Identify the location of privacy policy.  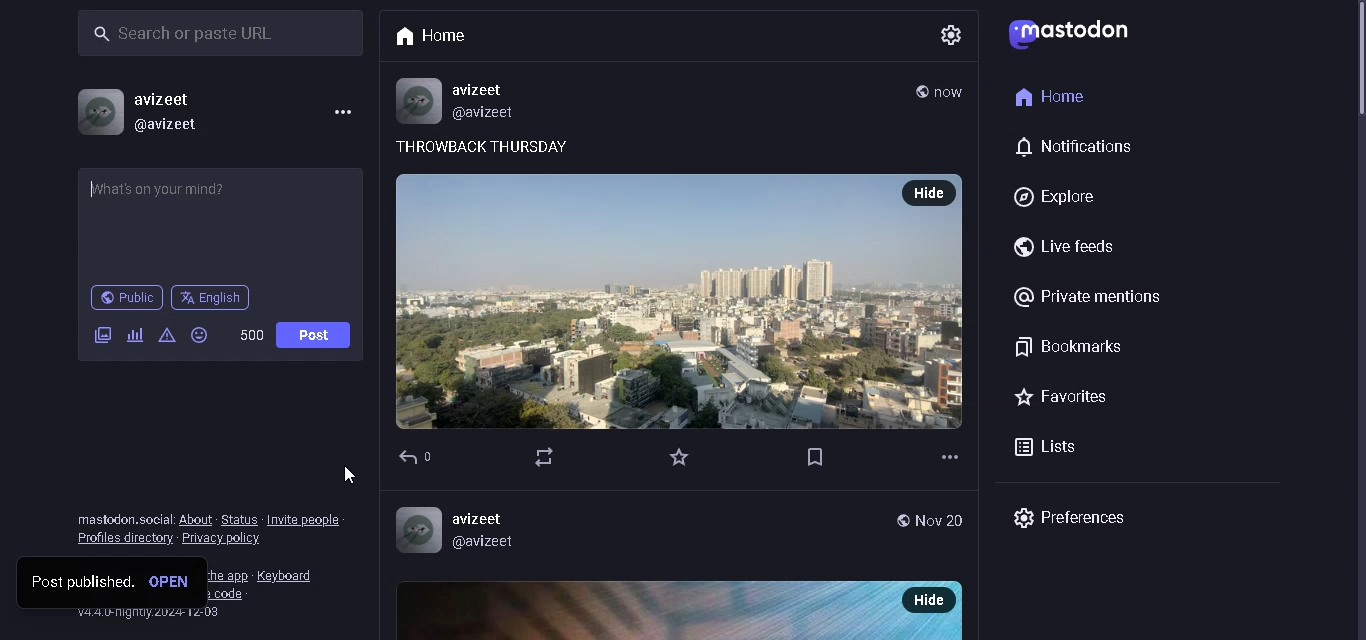
(225, 541).